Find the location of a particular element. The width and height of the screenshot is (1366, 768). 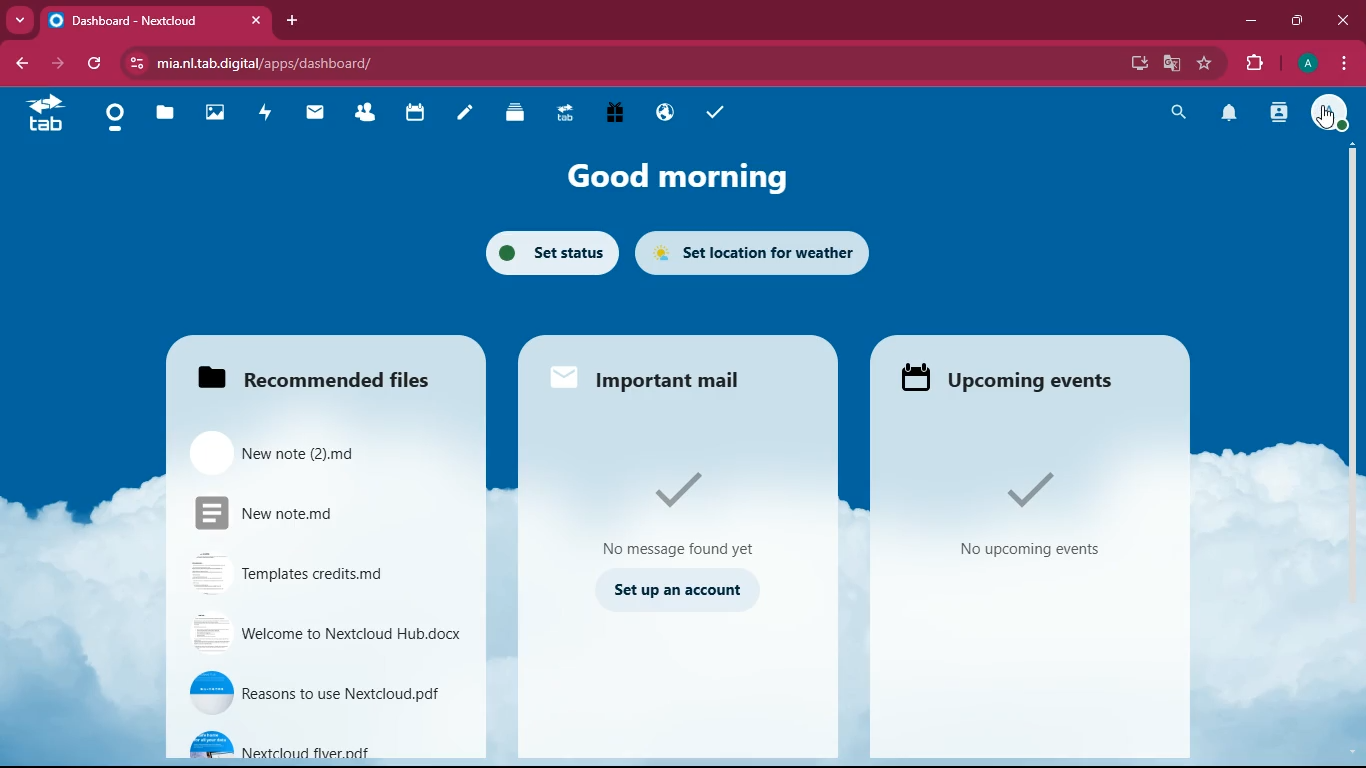

No upcoming events is located at coordinates (1033, 551).